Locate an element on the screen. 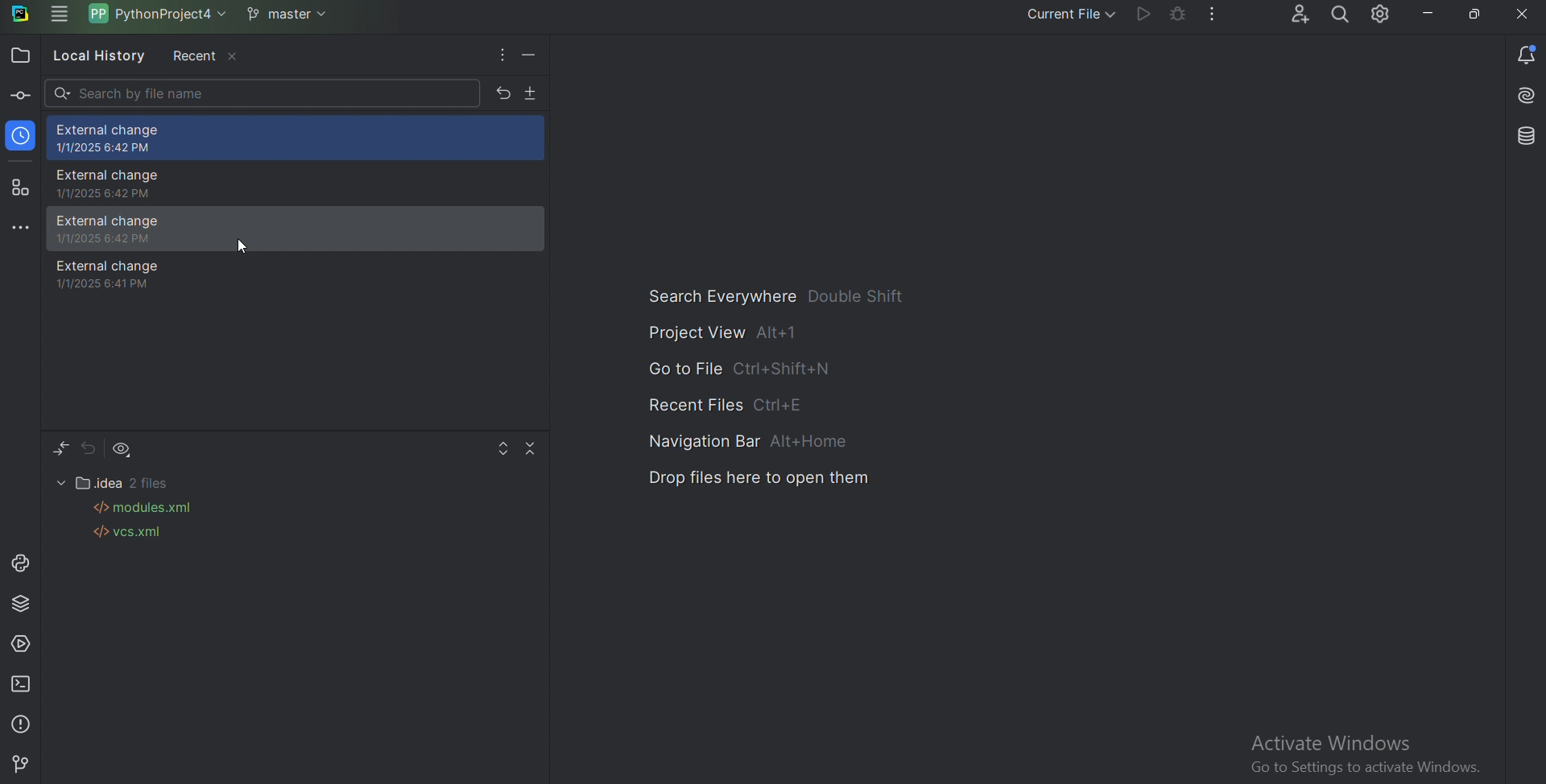 Image resolution: width=1546 pixels, height=784 pixels. Collapse All is located at coordinates (534, 448).